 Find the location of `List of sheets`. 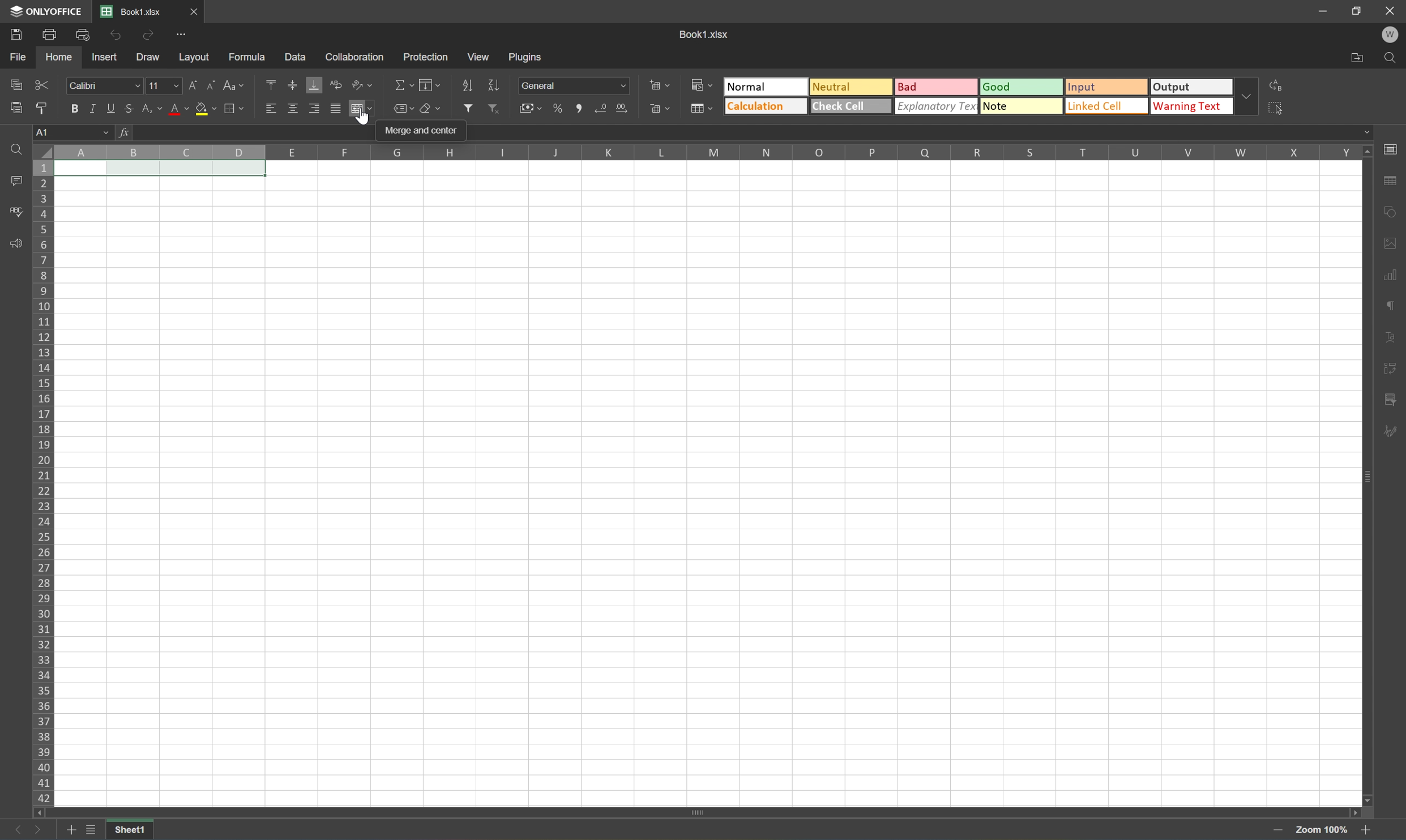

List of sheets is located at coordinates (92, 830).